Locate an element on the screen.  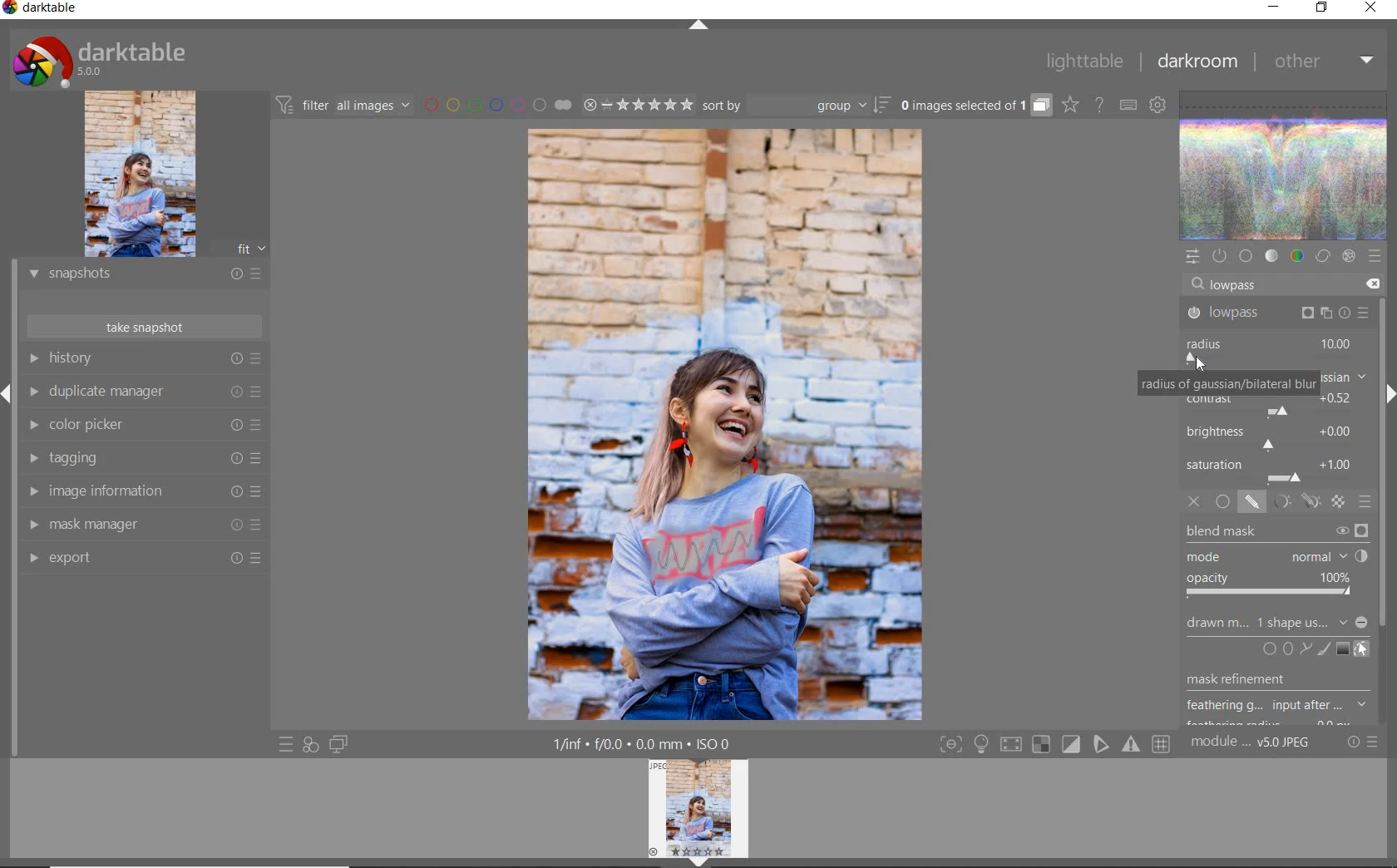
add brush is located at coordinates (1322, 649).